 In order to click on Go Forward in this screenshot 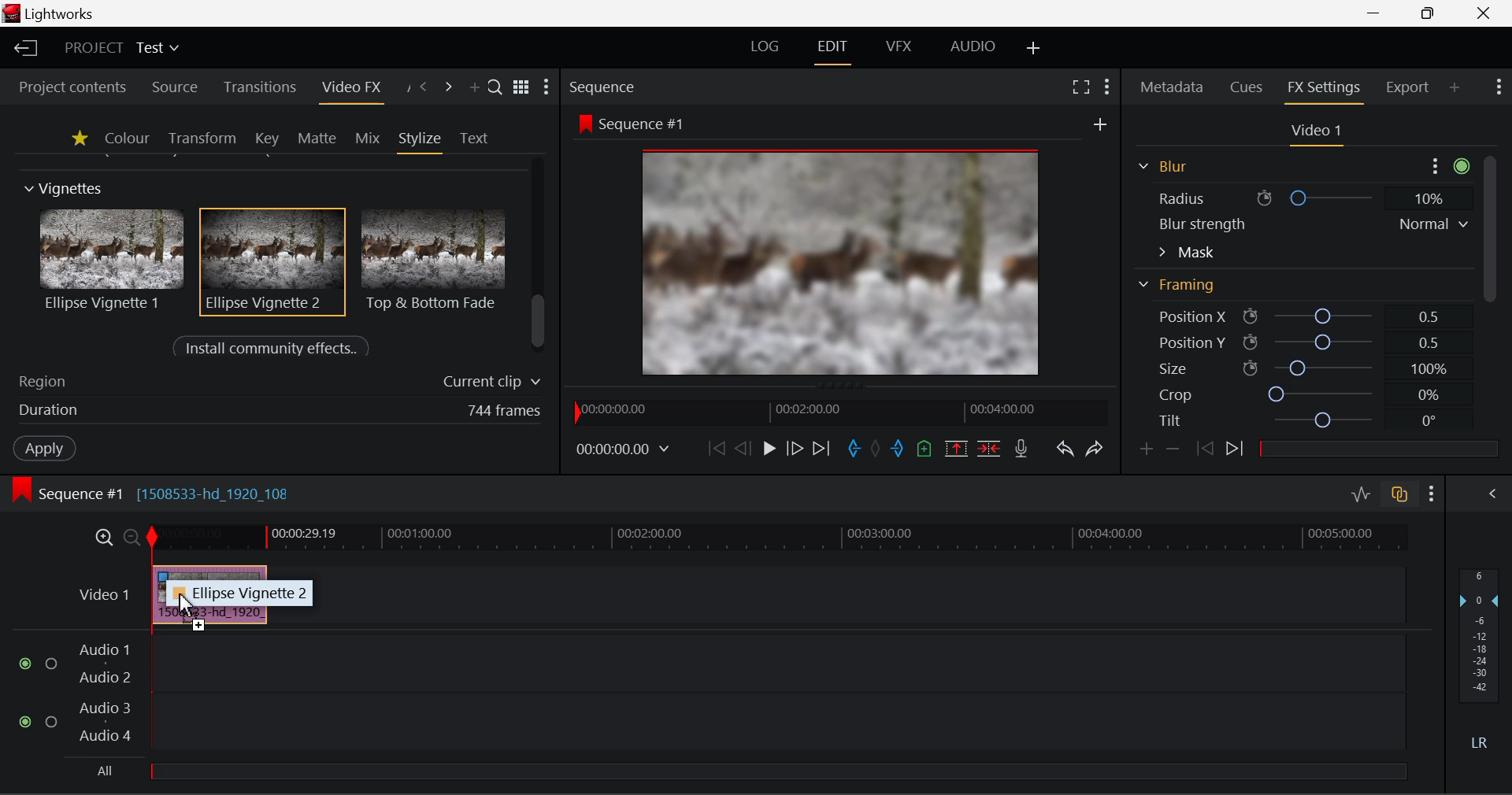, I will do `click(795, 449)`.